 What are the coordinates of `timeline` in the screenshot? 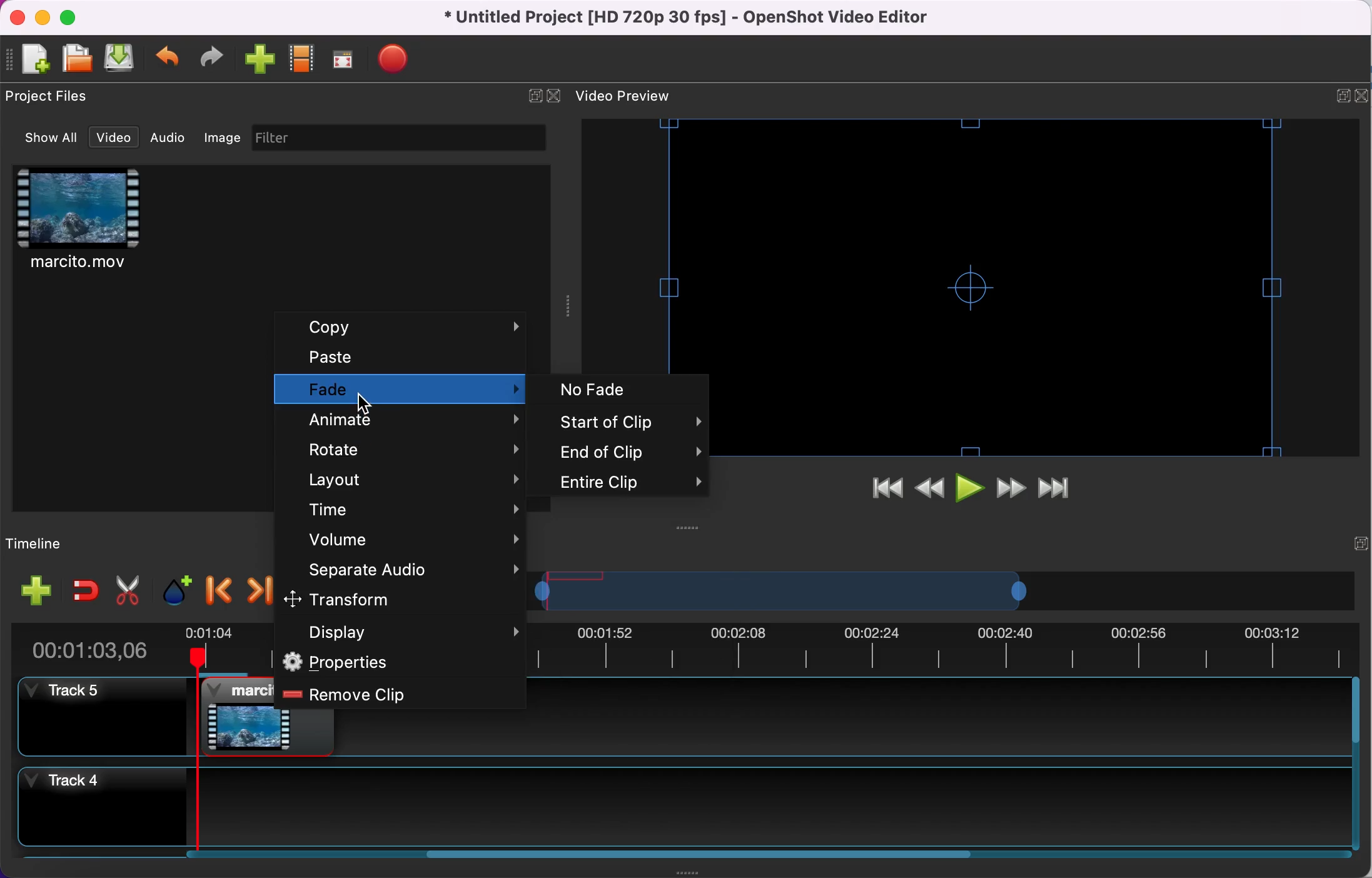 It's located at (53, 545).